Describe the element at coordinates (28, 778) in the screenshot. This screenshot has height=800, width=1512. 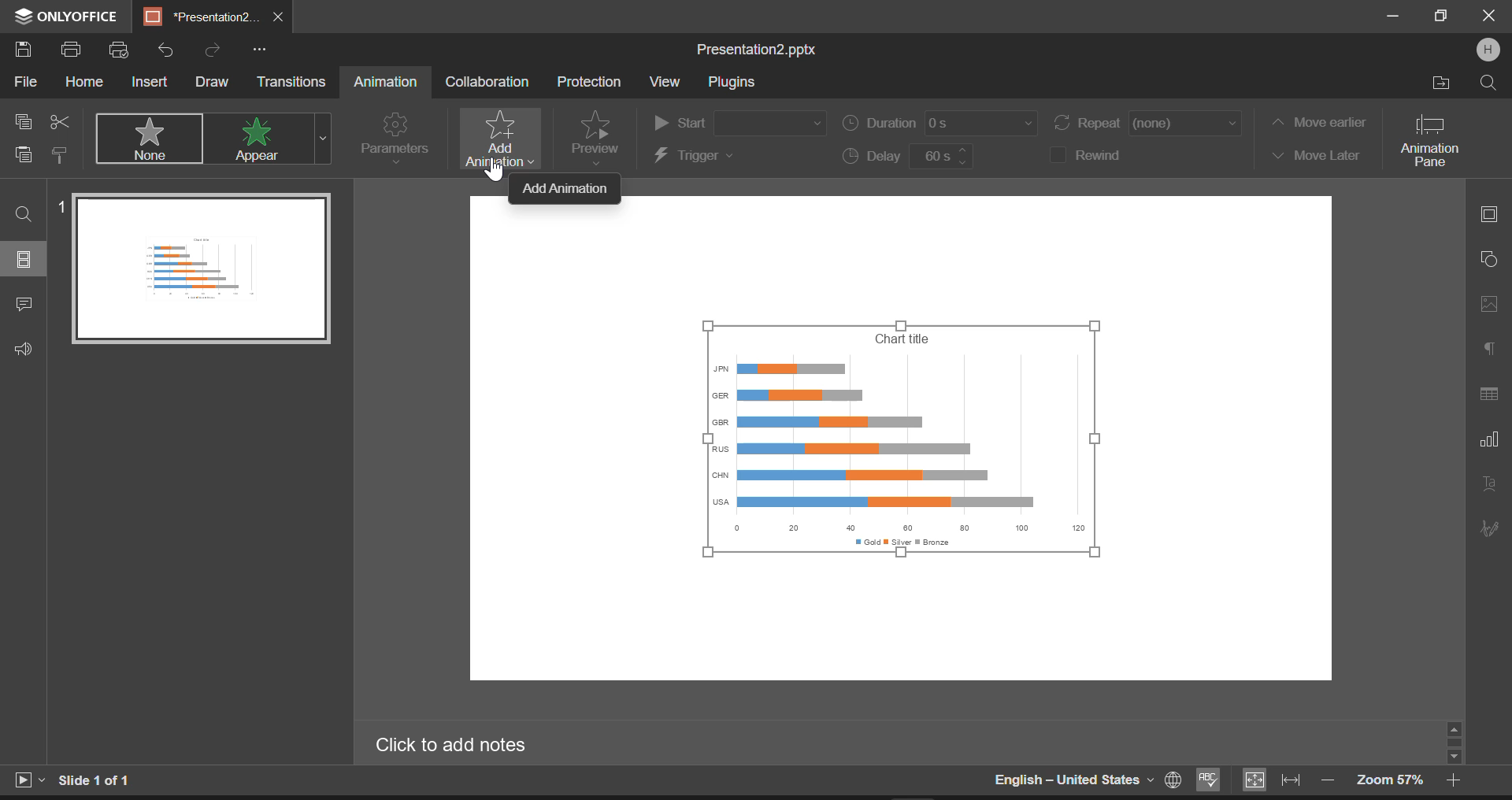
I see `Start Slideshow` at that location.